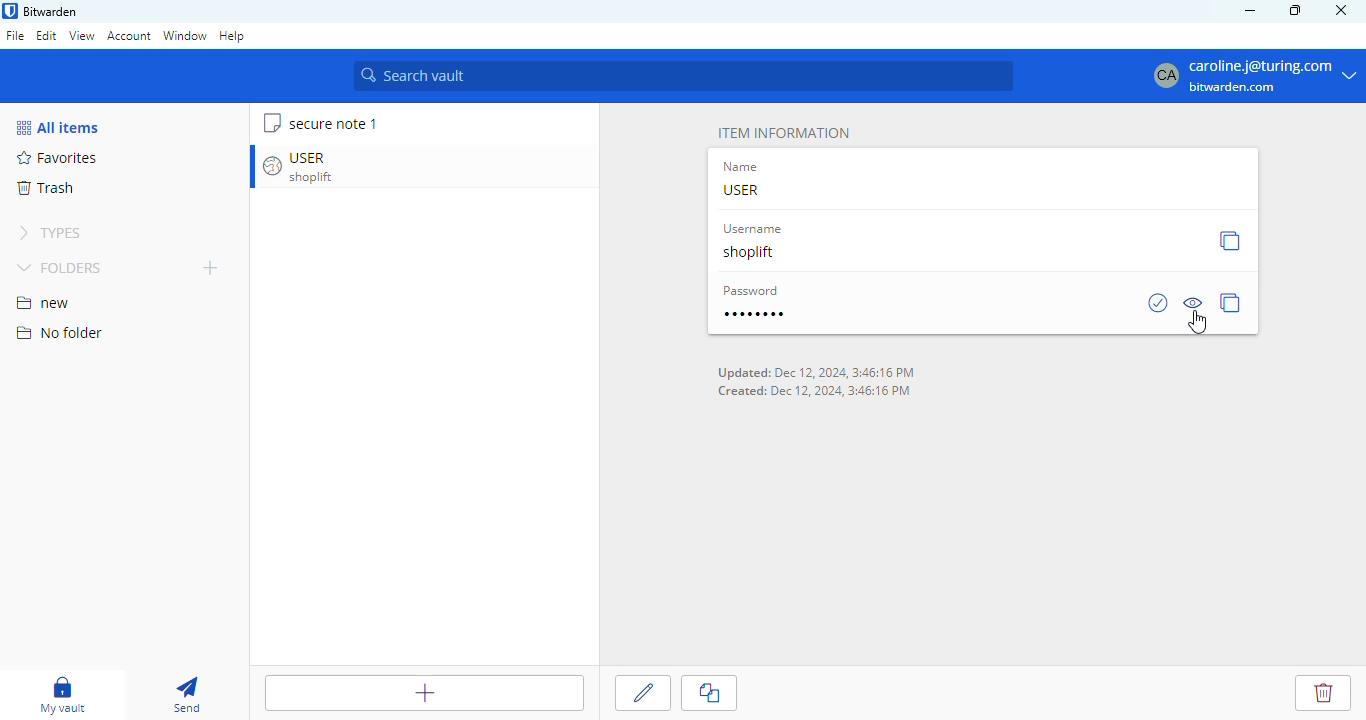 Image resolution: width=1366 pixels, height=720 pixels. Describe the element at coordinates (816, 373) in the screenshot. I see `Updated: Dec 12 2024 3:46:16 PM` at that location.